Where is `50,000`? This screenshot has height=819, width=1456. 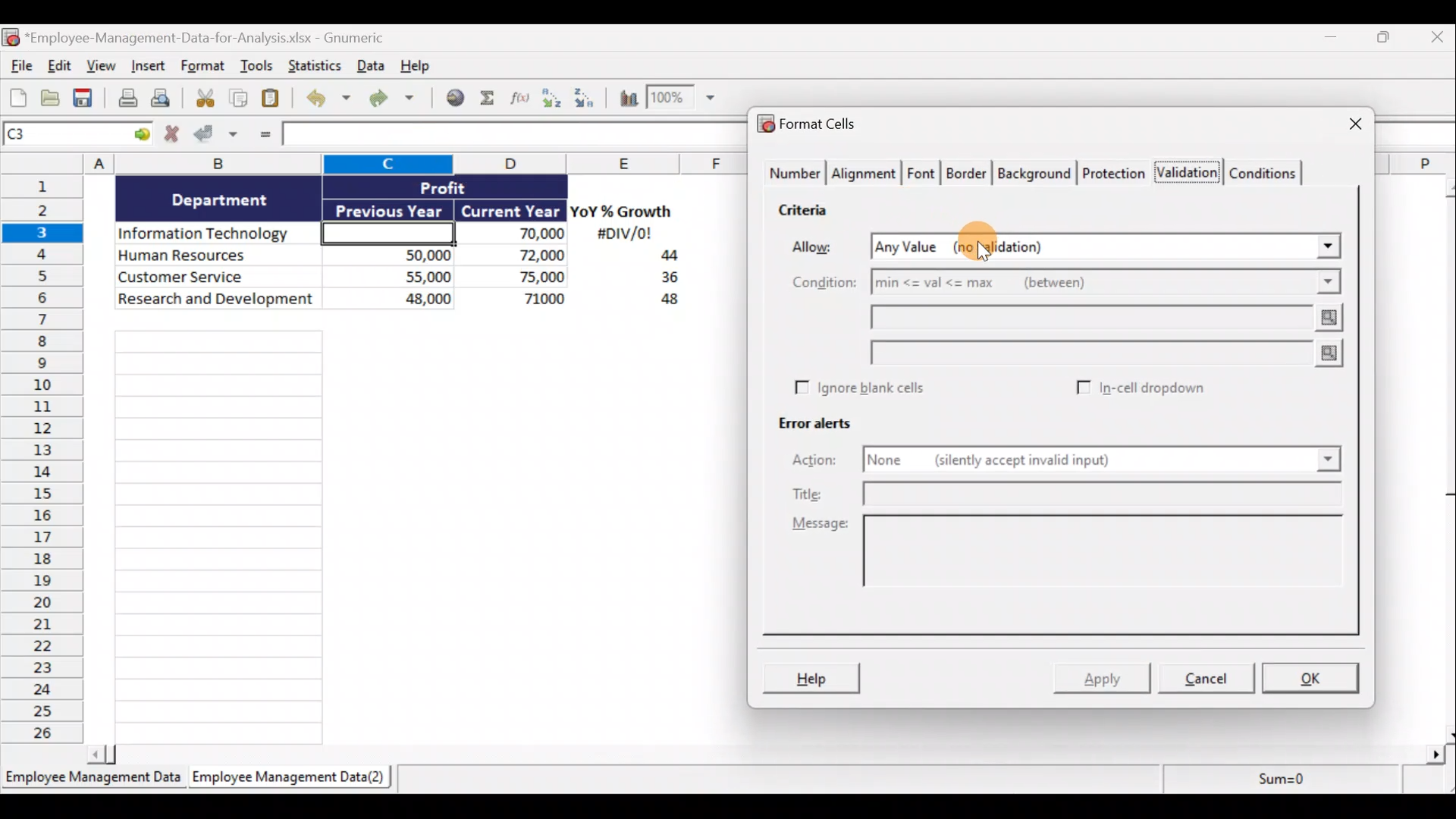 50,000 is located at coordinates (397, 254).